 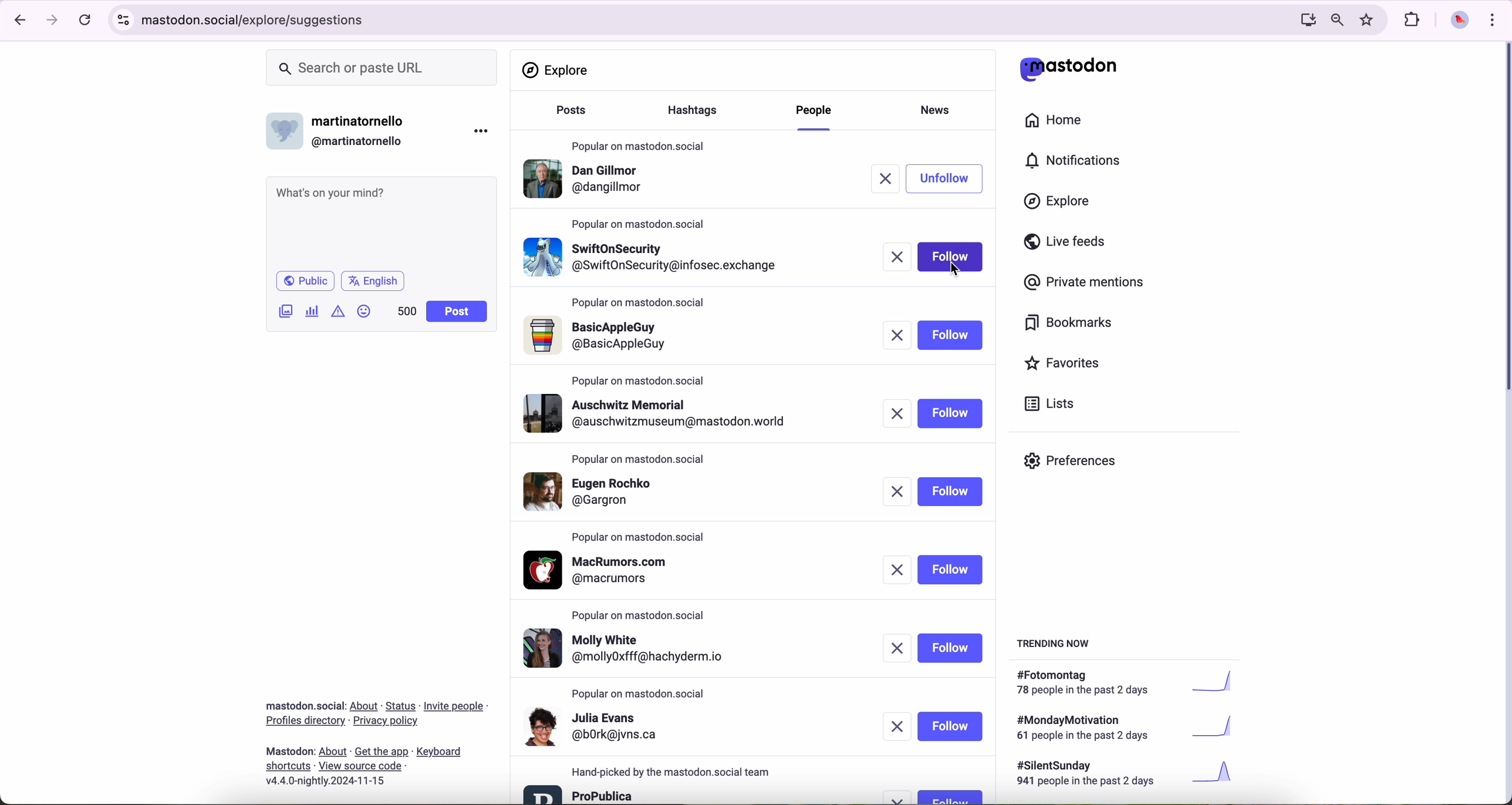 I want to click on bookmarks, so click(x=1069, y=325).